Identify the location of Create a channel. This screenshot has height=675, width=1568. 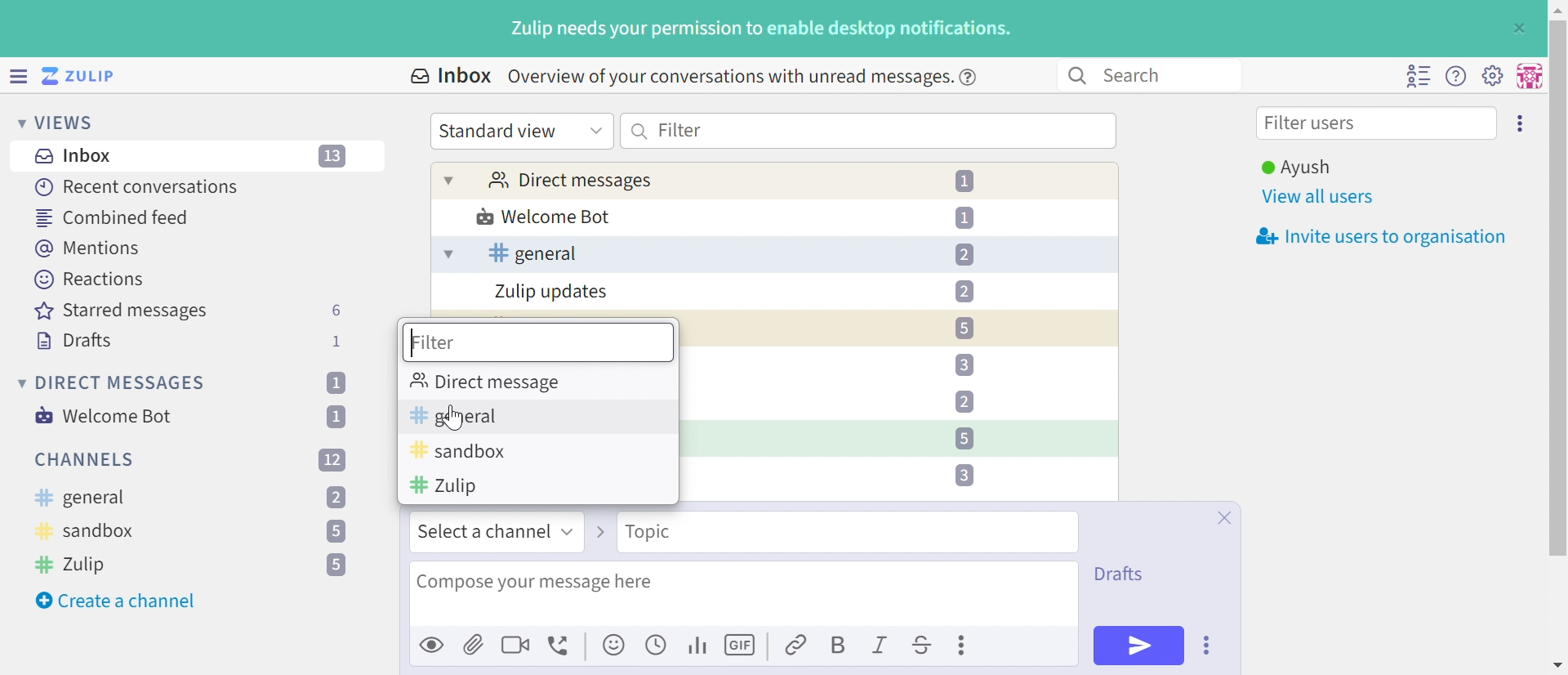
(118, 601).